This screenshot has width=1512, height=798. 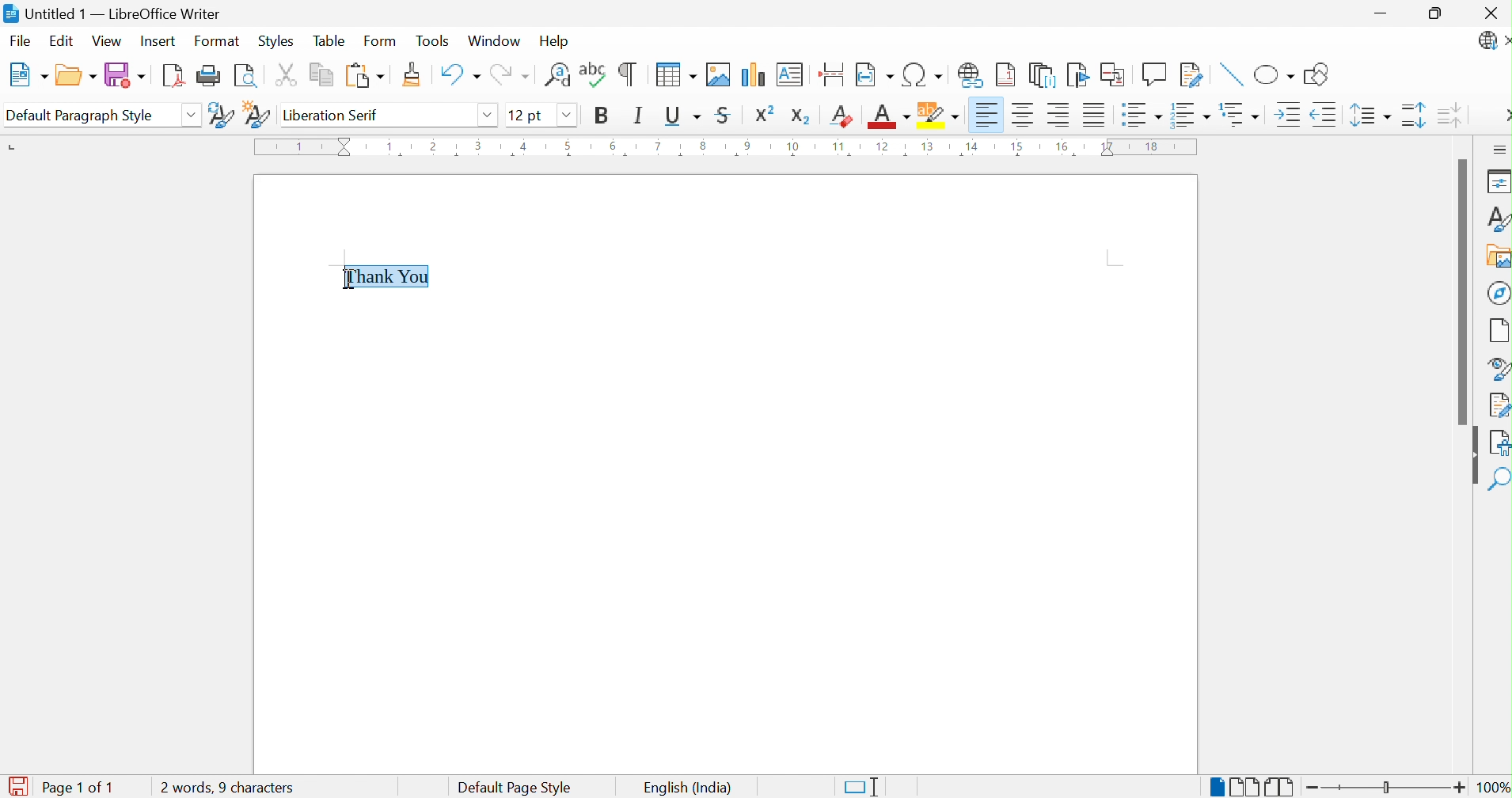 What do you see at coordinates (922, 74) in the screenshot?
I see `Insert Special Characters` at bounding box center [922, 74].